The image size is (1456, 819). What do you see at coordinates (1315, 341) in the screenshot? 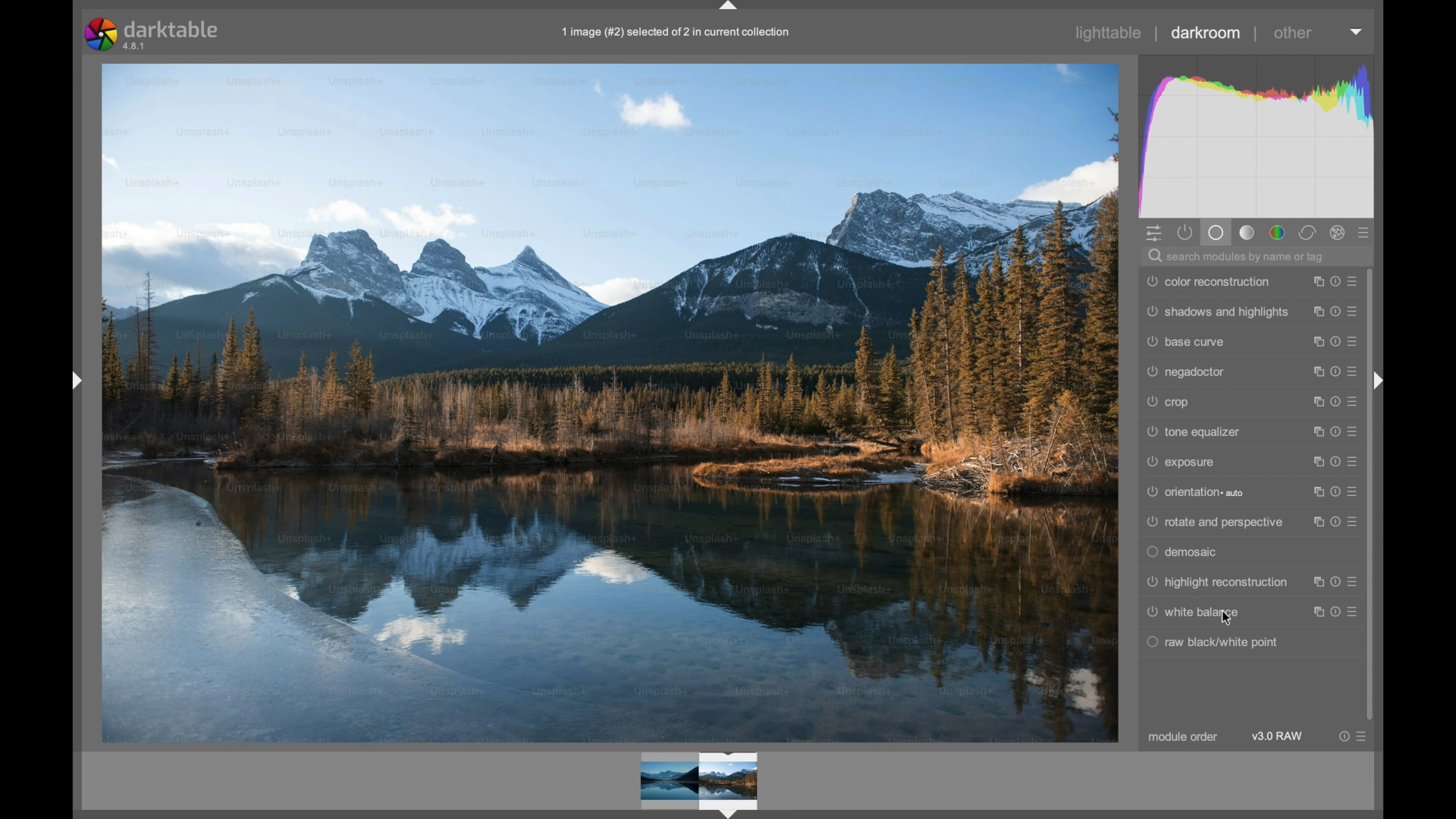
I see `instance` at bounding box center [1315, 341].